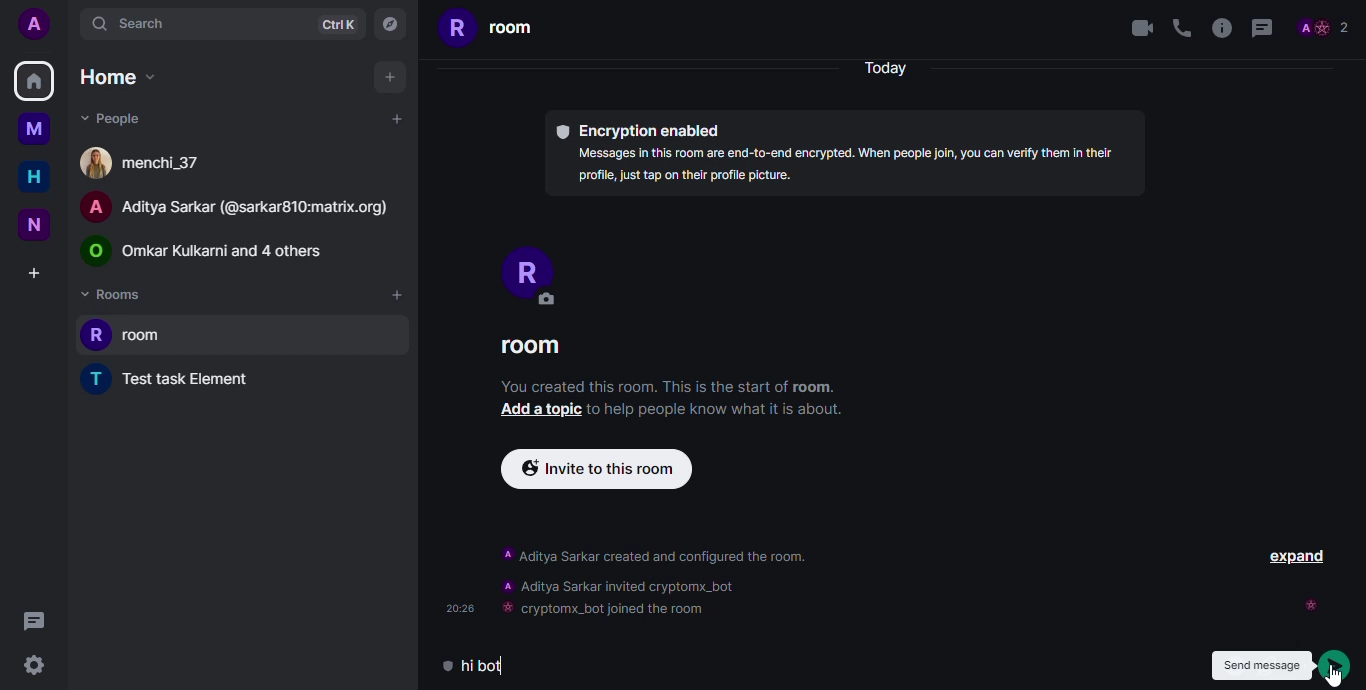  Describe the element at coordinates (656, 554) in the screenshot. I see `‘A Aditya Sarkar created and configured the room.` at that location.